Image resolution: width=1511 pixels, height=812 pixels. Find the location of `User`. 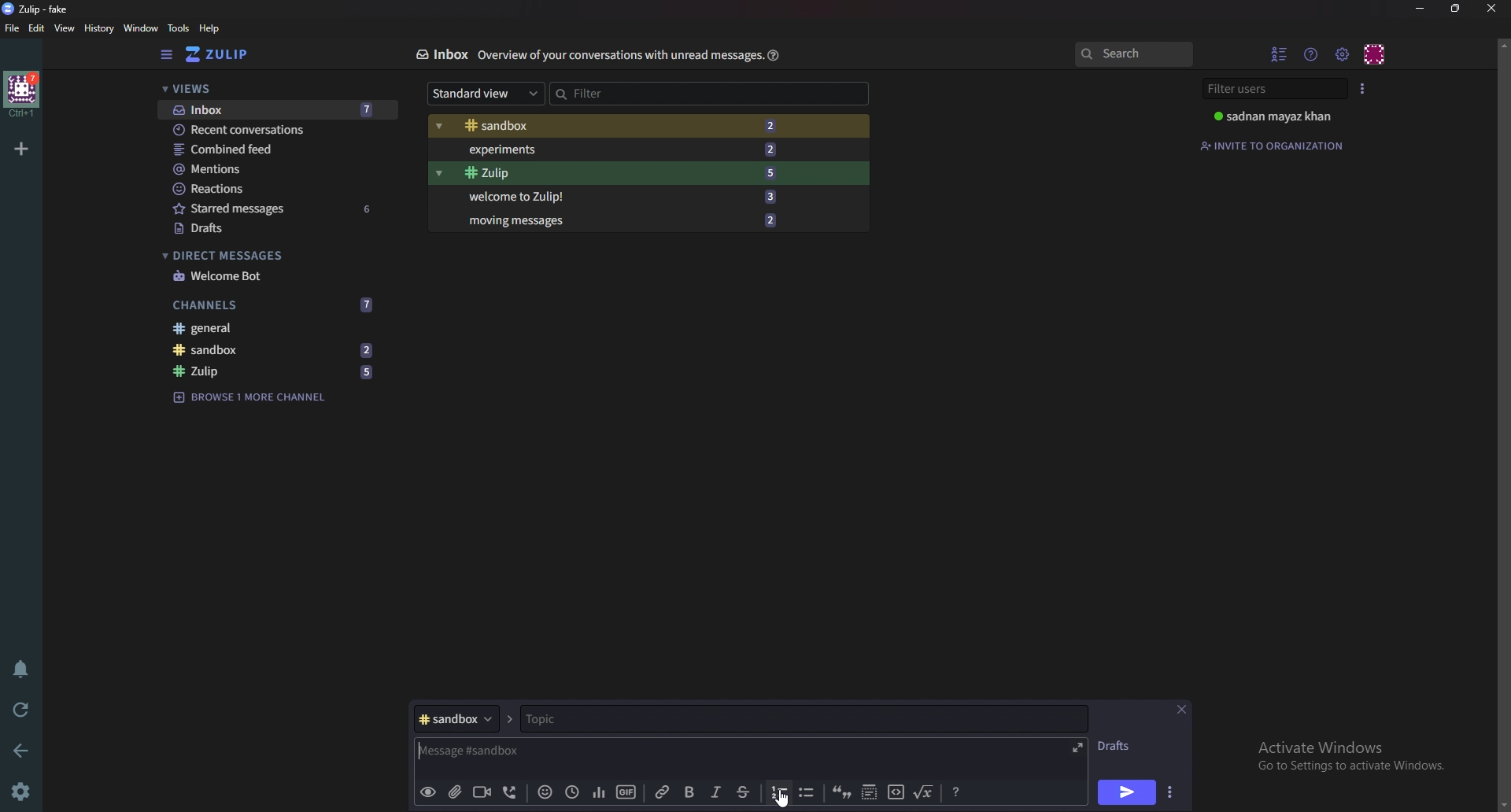

User is located at coordinates (1276, 116).